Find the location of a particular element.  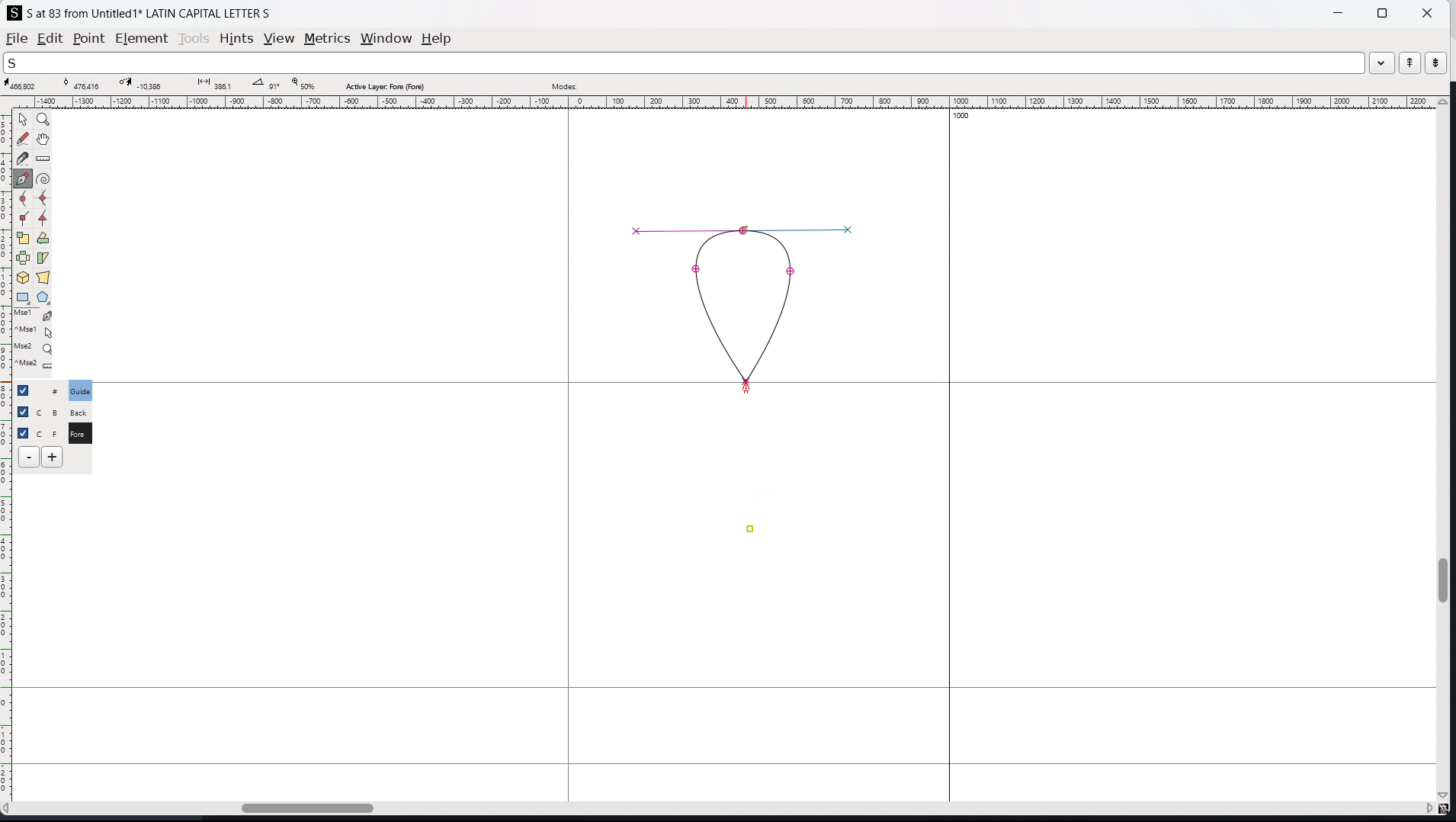

search  the wordlist is located at coordinates (684, 63).